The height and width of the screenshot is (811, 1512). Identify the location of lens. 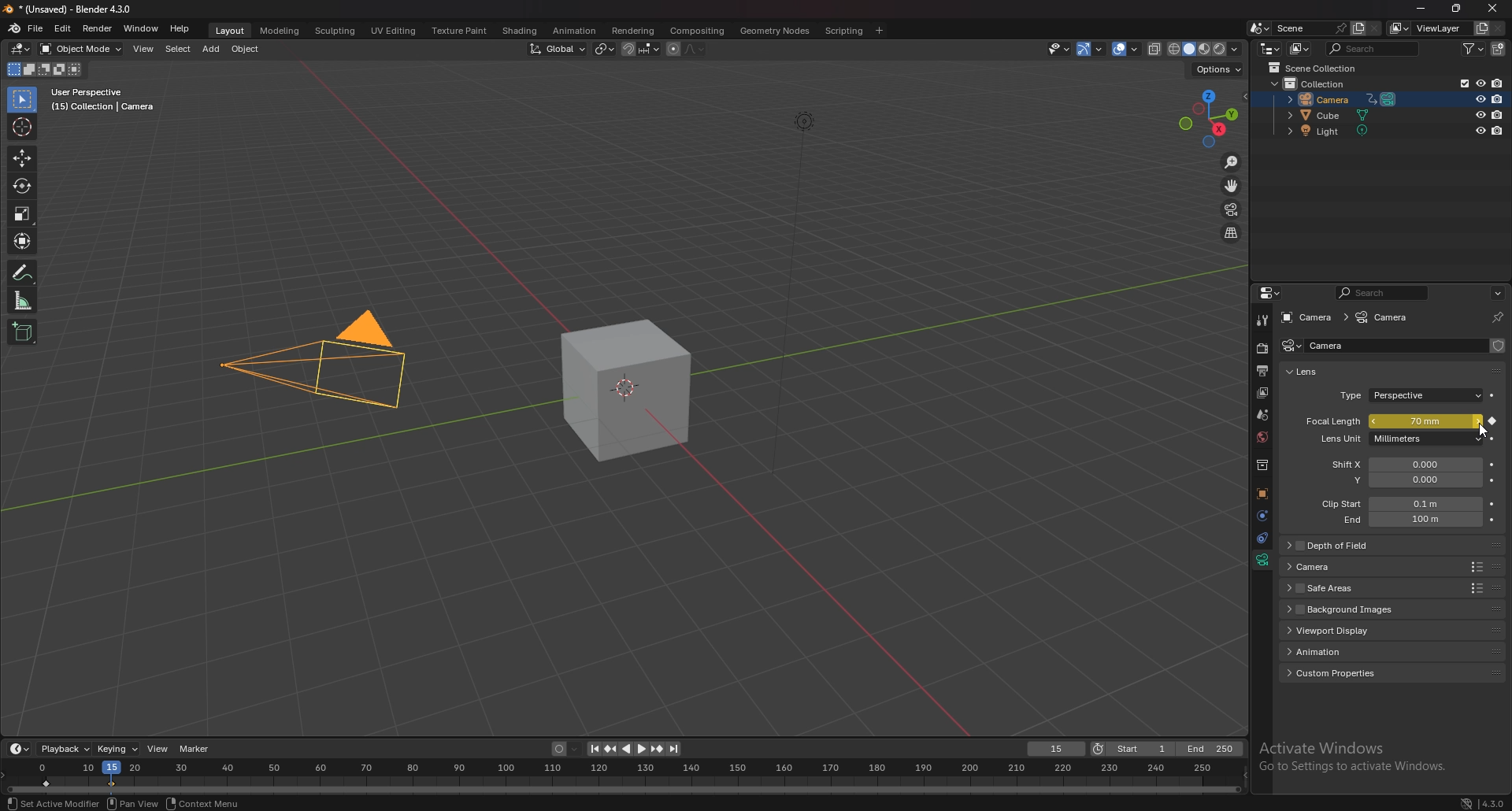
(1312, 372).